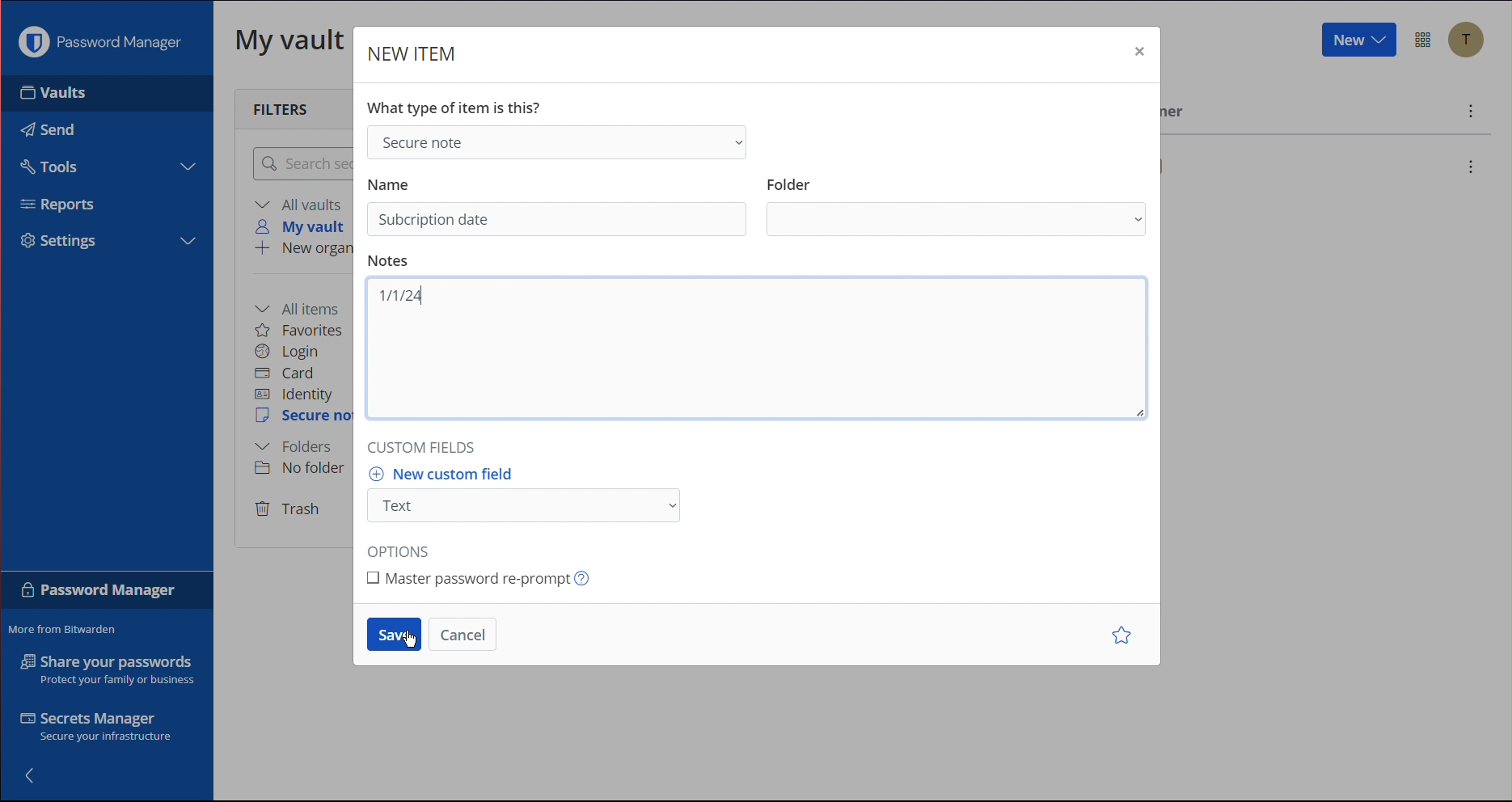  What do you see at coordinates (288, 352) in the screenshot?
I see `Login` at bounding box center [288, 352].